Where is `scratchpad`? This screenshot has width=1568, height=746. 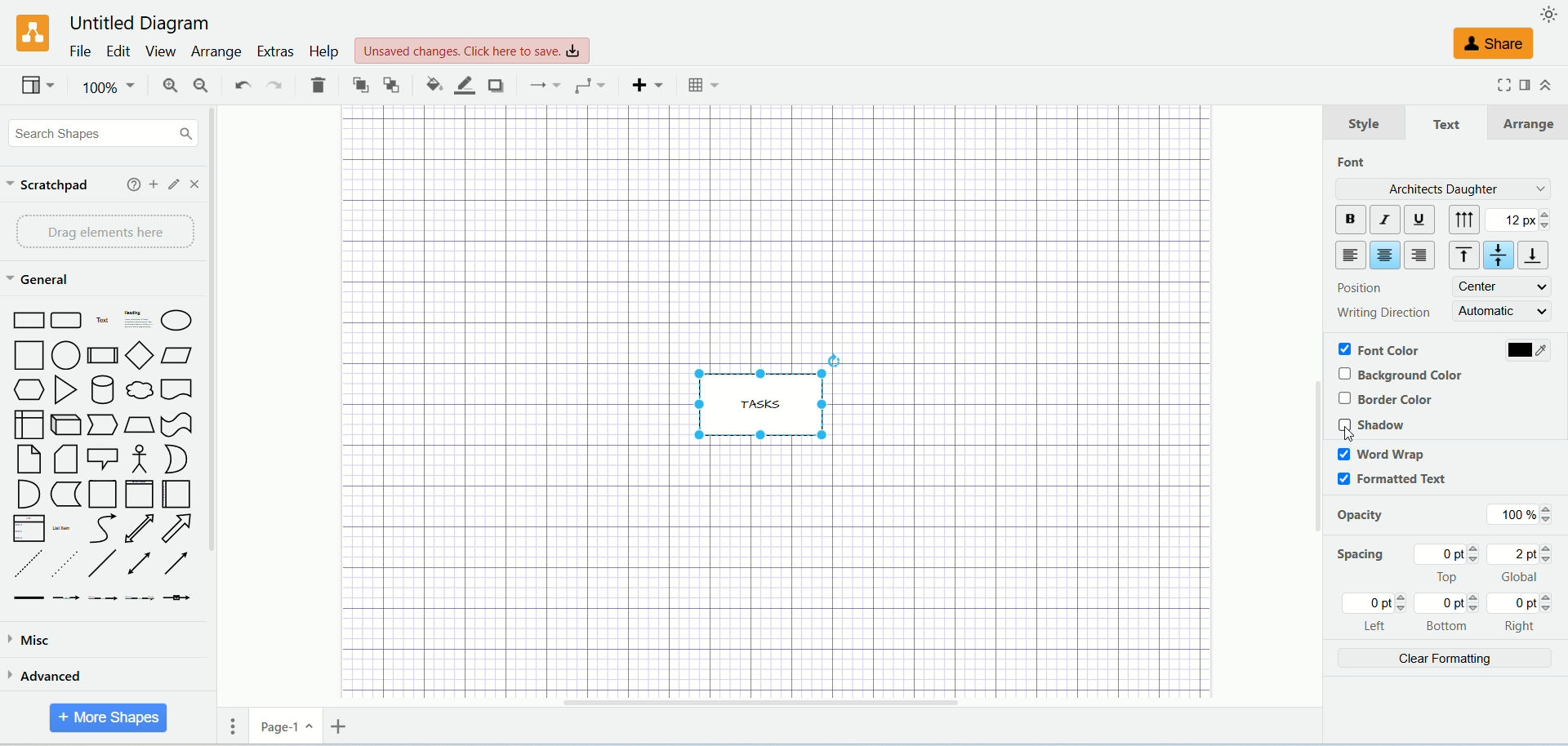 scratchpad is located at coordinates (50, 186).